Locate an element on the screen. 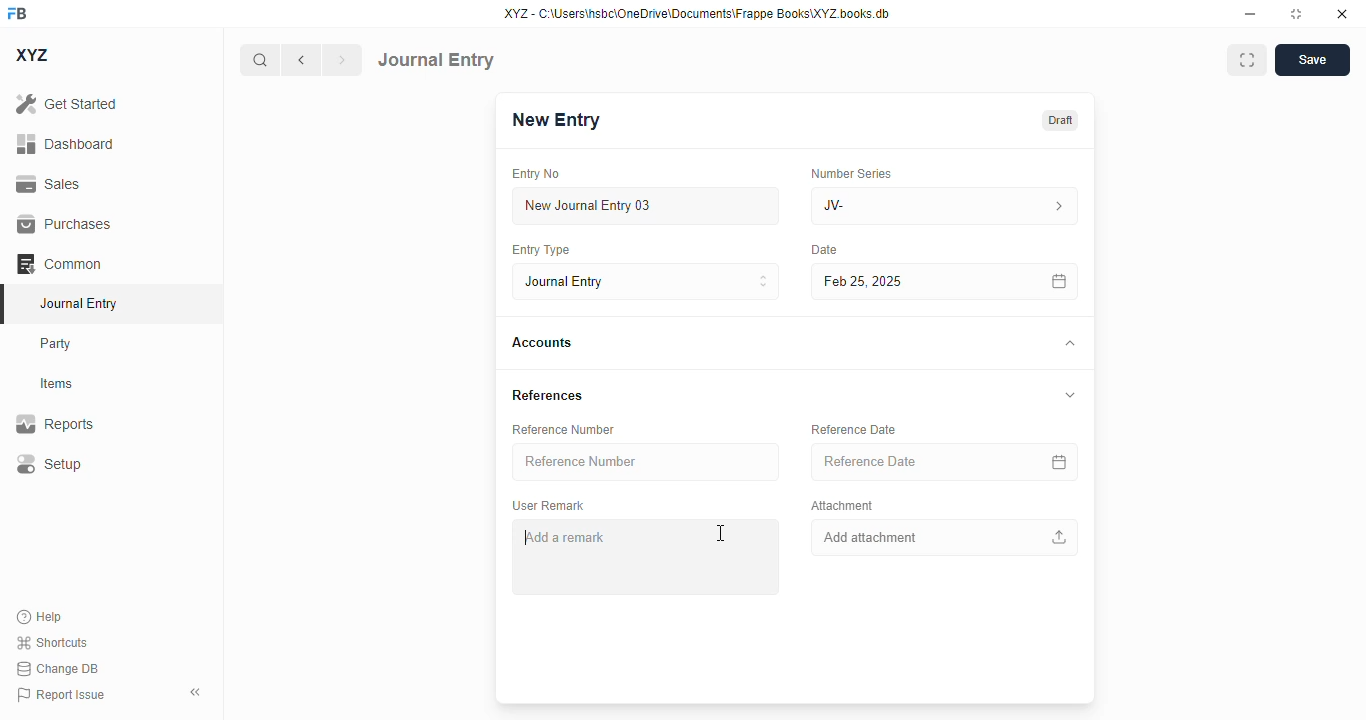 This screenshot has height=720, width=1366. toggle maximize is located at coordinates (1295, 14).